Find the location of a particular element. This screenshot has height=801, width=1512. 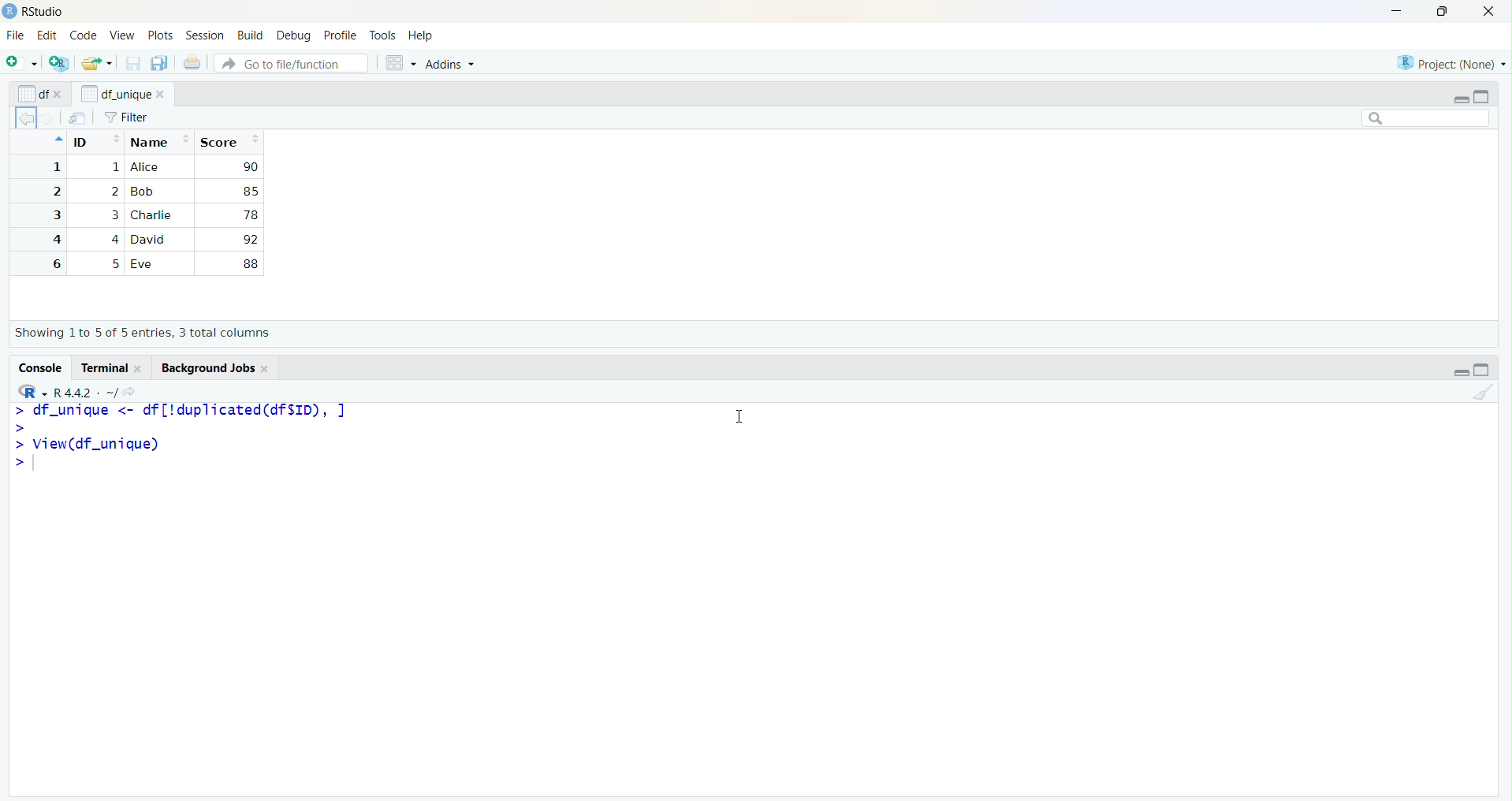

file search is located at coordinates (293, 62).